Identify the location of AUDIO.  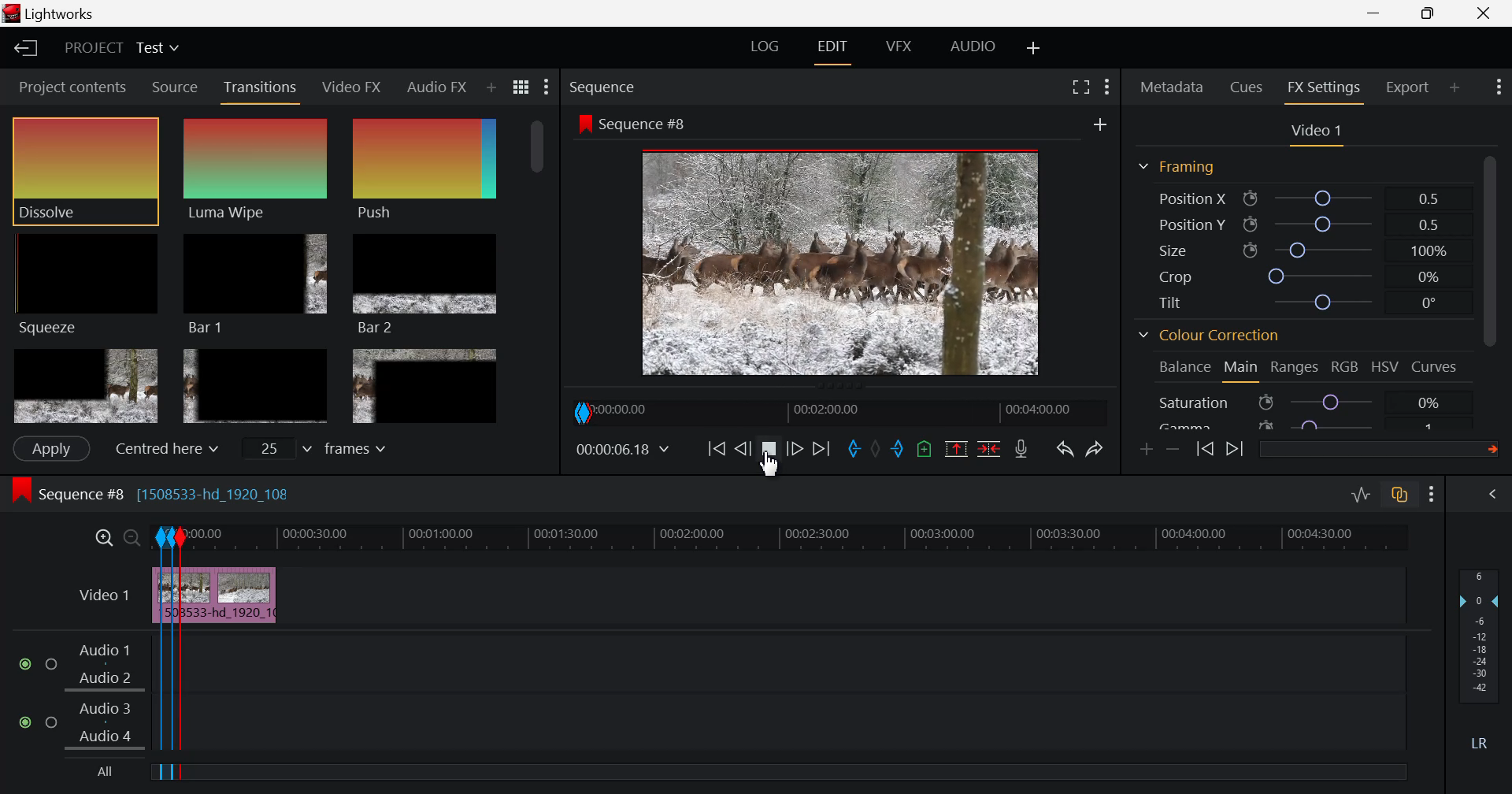
(974, 46).